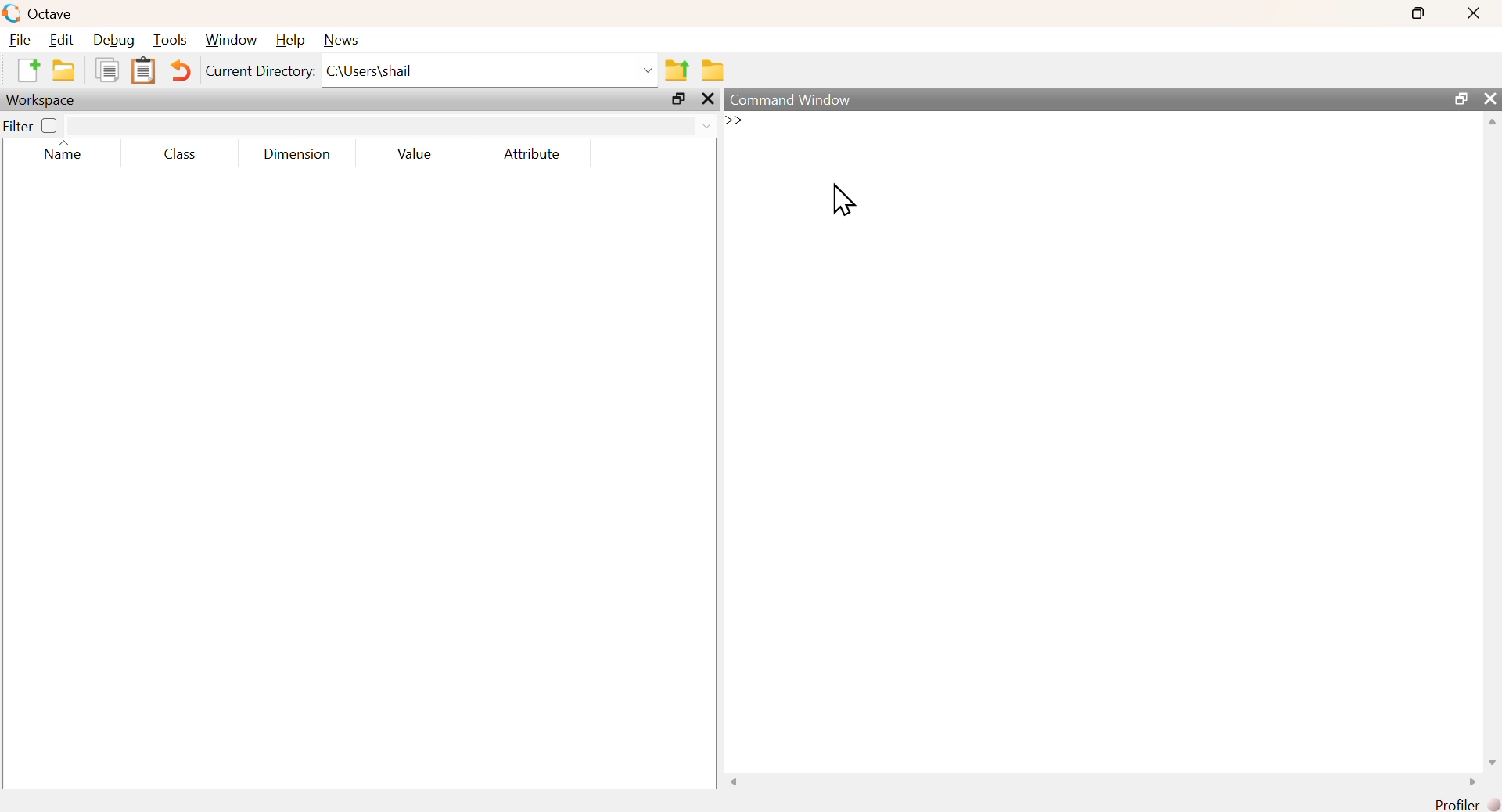 This screenshot has width=1502, height=812. Describe the element at coordinates (706, 100) in the screenshot. I see `close` at that location.